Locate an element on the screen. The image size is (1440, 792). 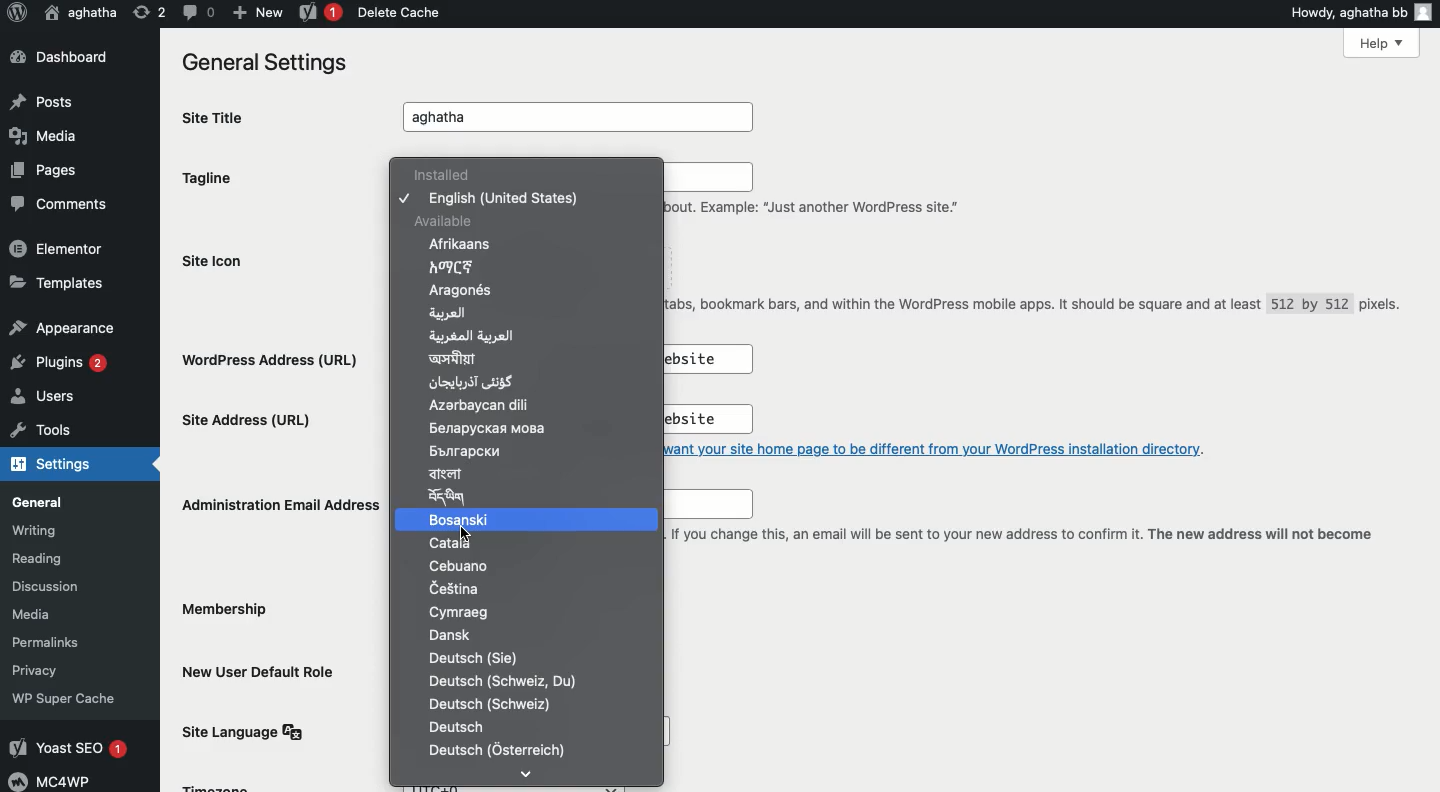
Templates is located at coordinates (53, 282).